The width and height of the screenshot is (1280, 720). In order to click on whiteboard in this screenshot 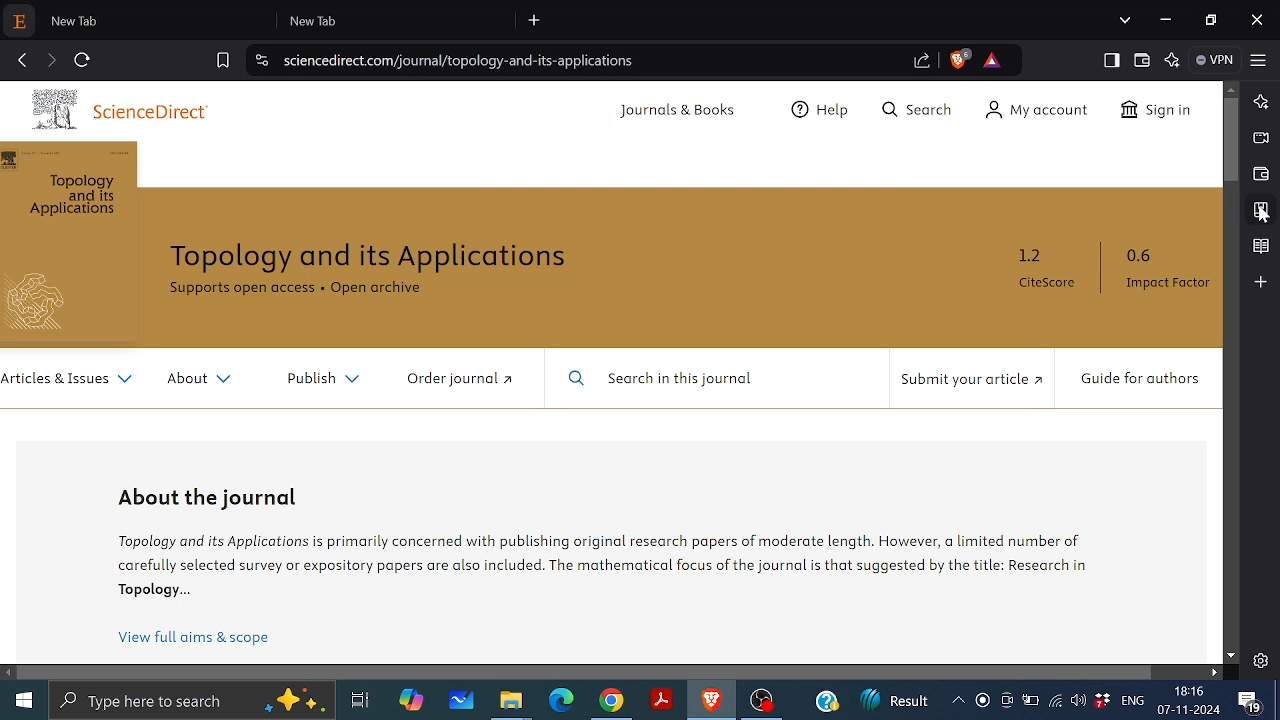, I will do `click(462, 701)`.